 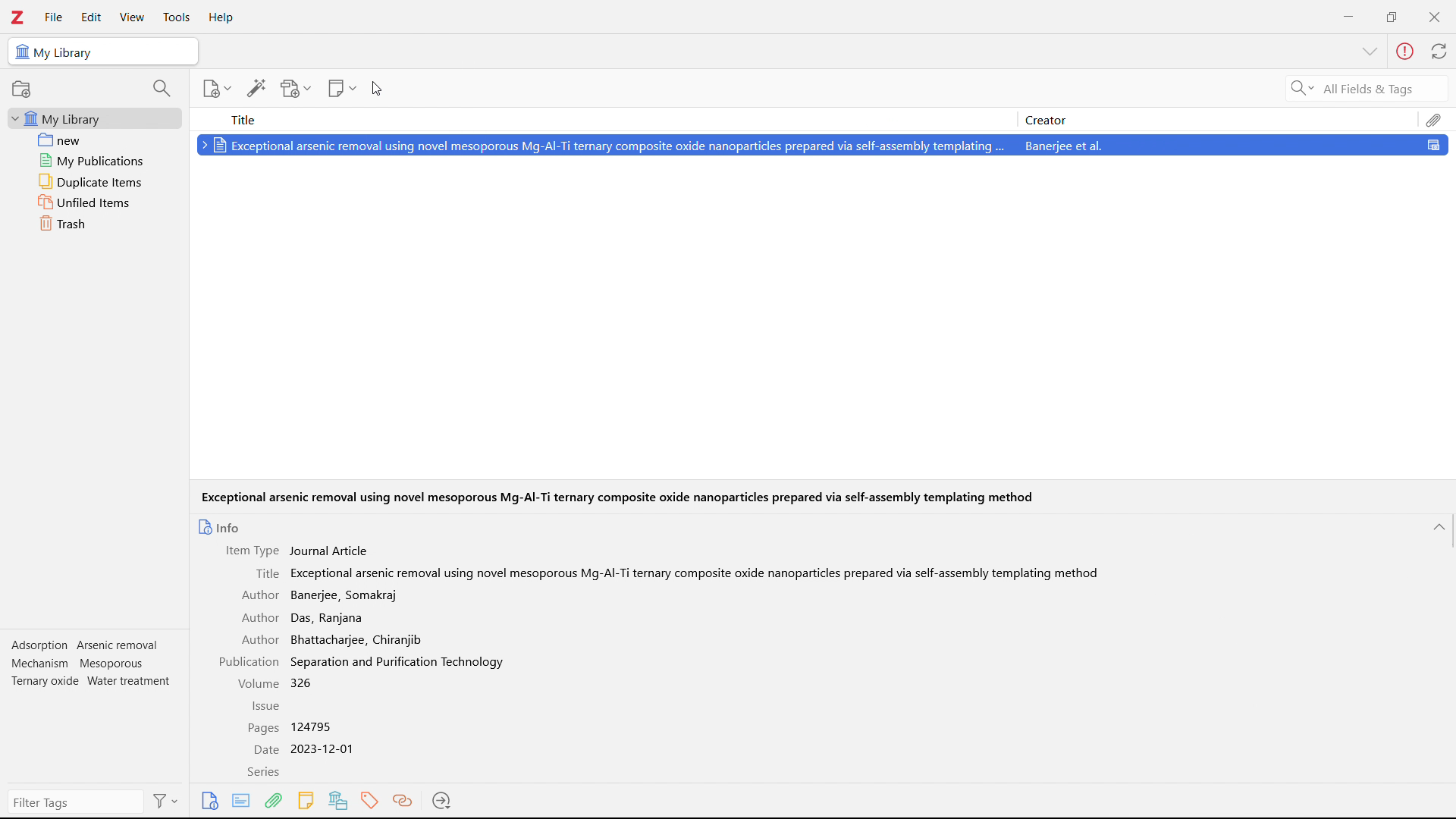 I want to click on add attachments, so click(x=297, y=88).